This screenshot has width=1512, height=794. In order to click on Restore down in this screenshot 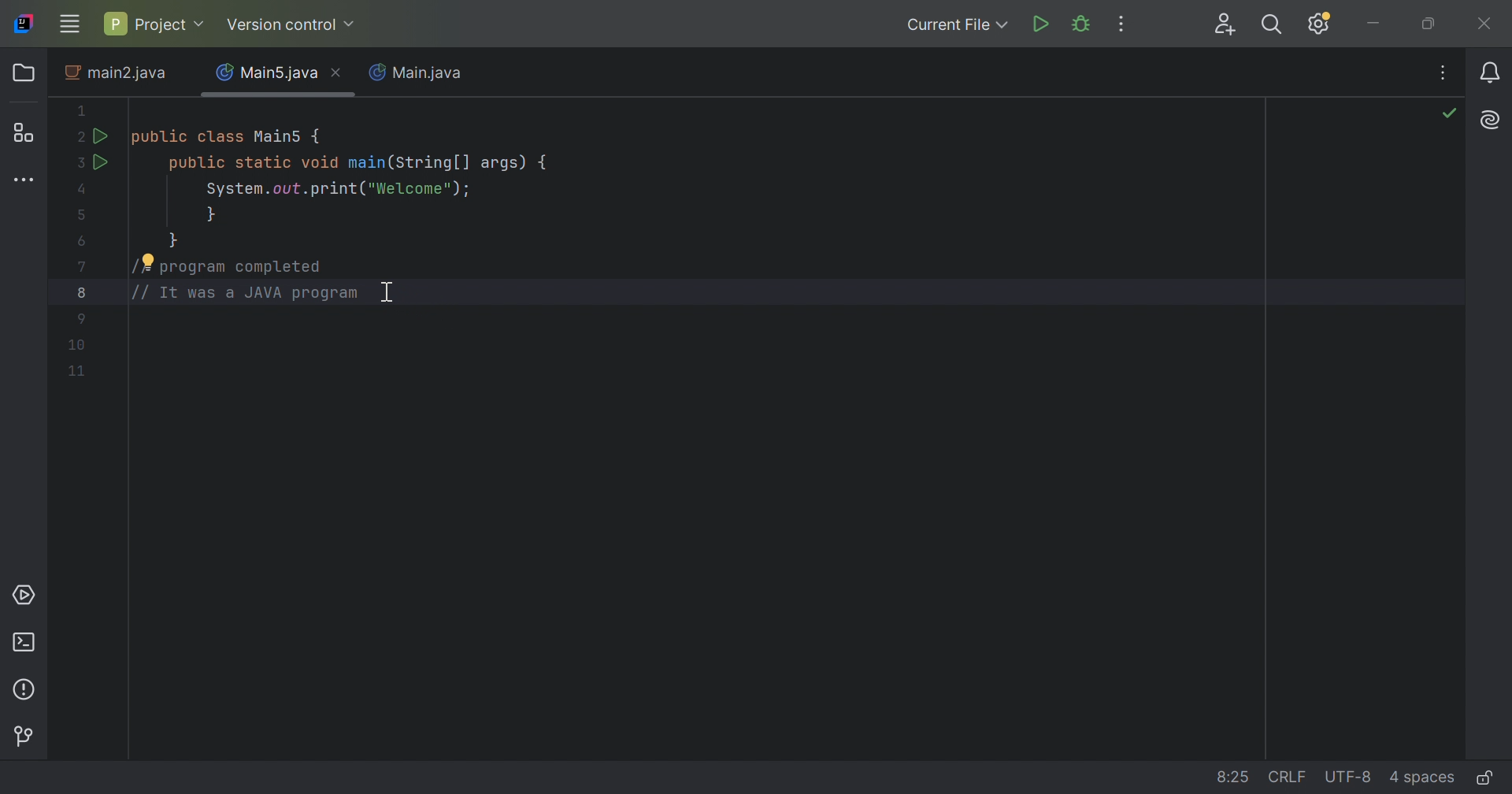, I will do `click(1432, 25)`.